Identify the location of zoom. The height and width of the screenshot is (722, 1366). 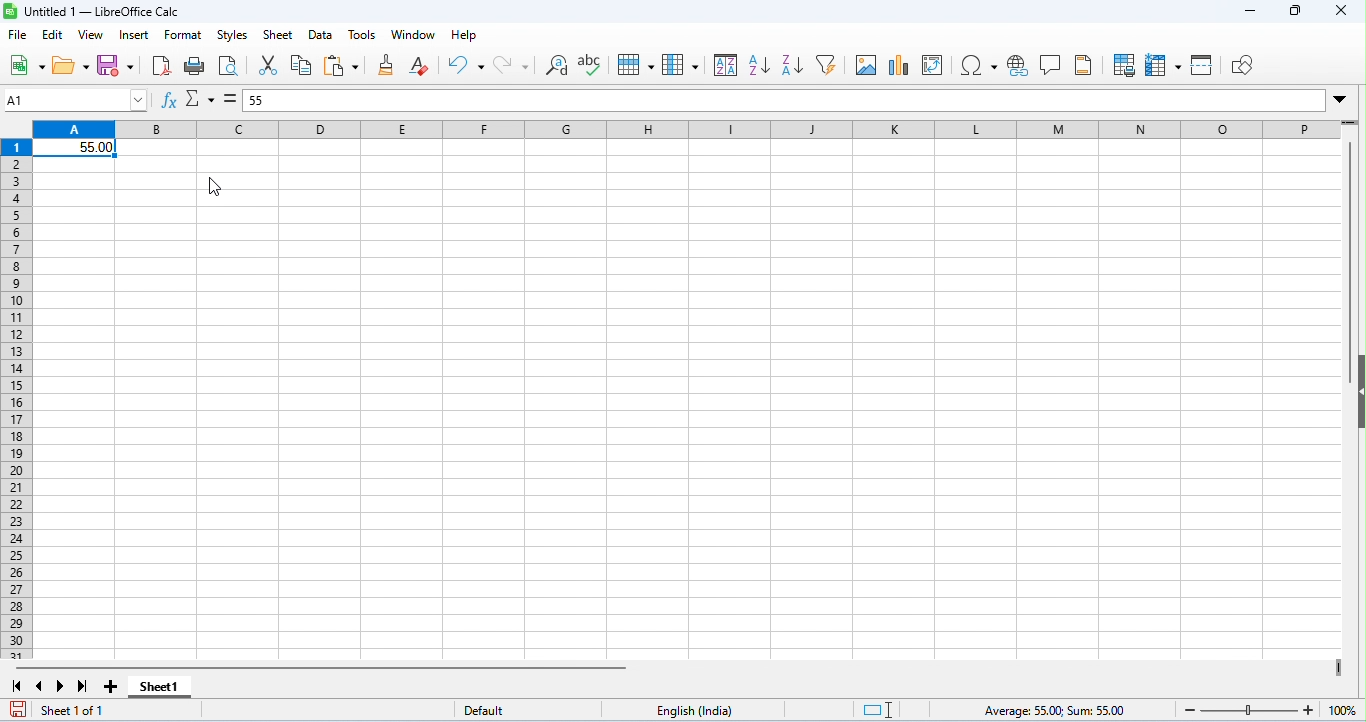
(1267, 709).